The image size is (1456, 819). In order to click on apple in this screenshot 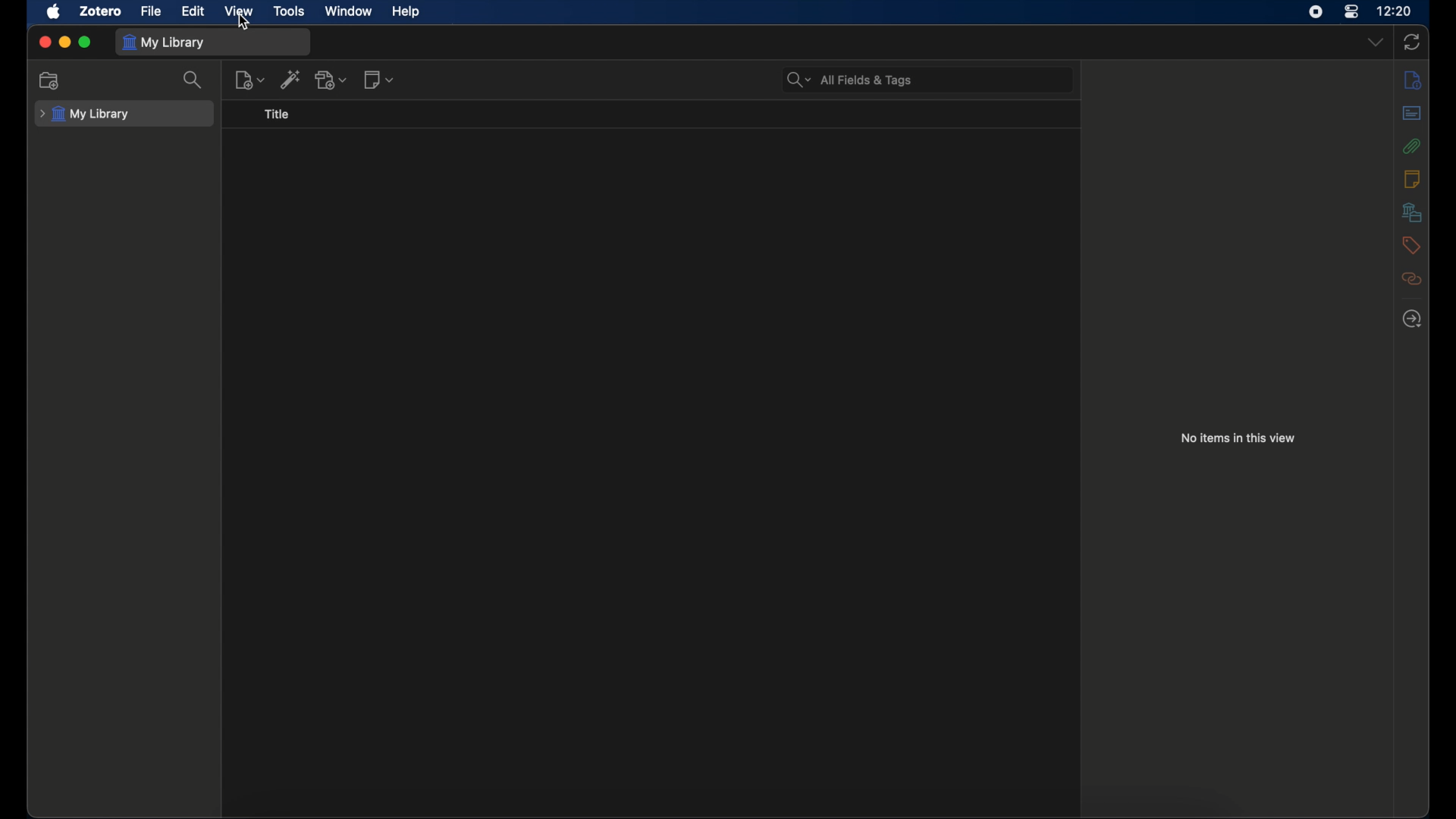, I will do `click(54, 12)`.